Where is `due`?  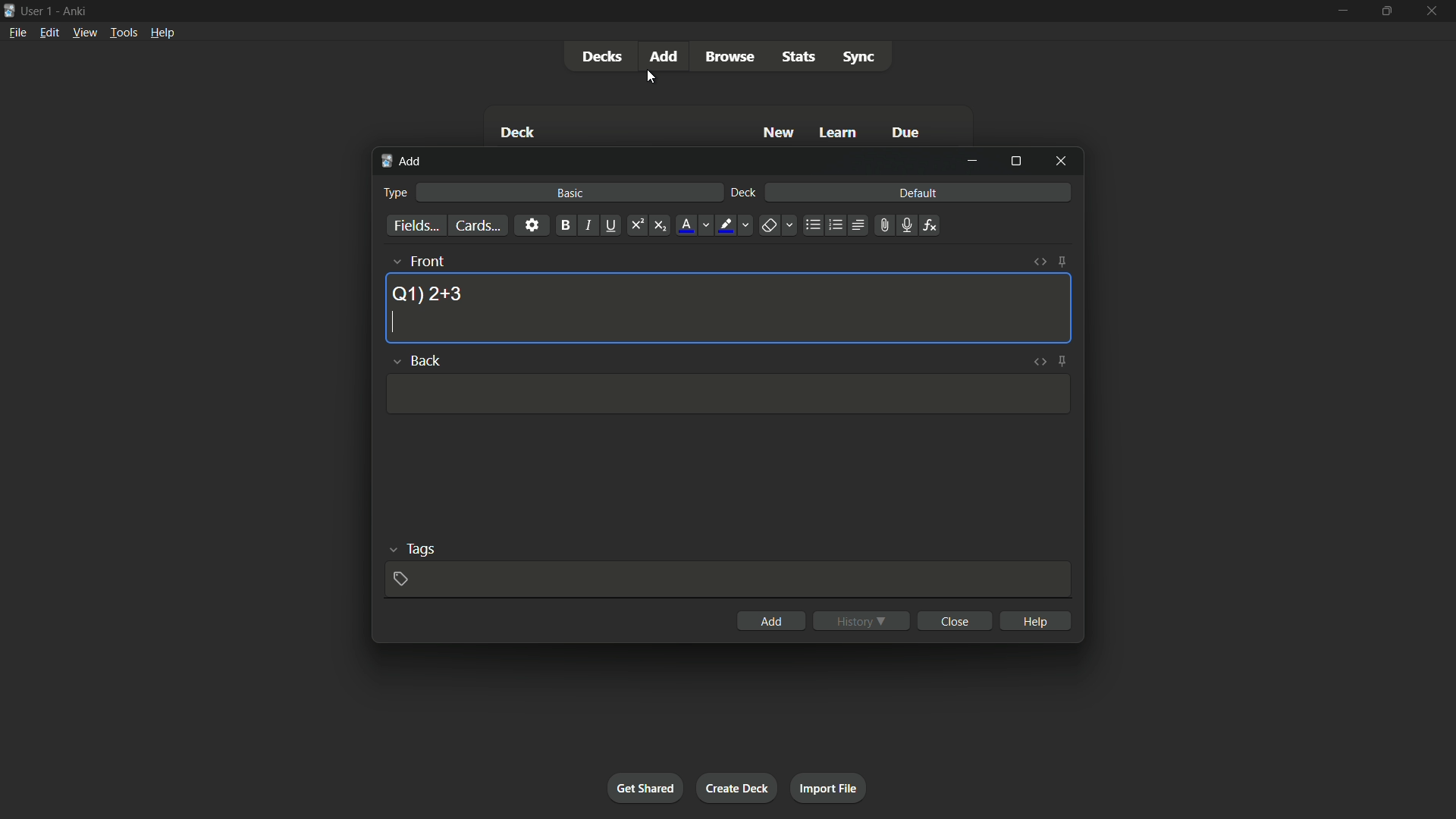
due is located at coordinates (906, 134).